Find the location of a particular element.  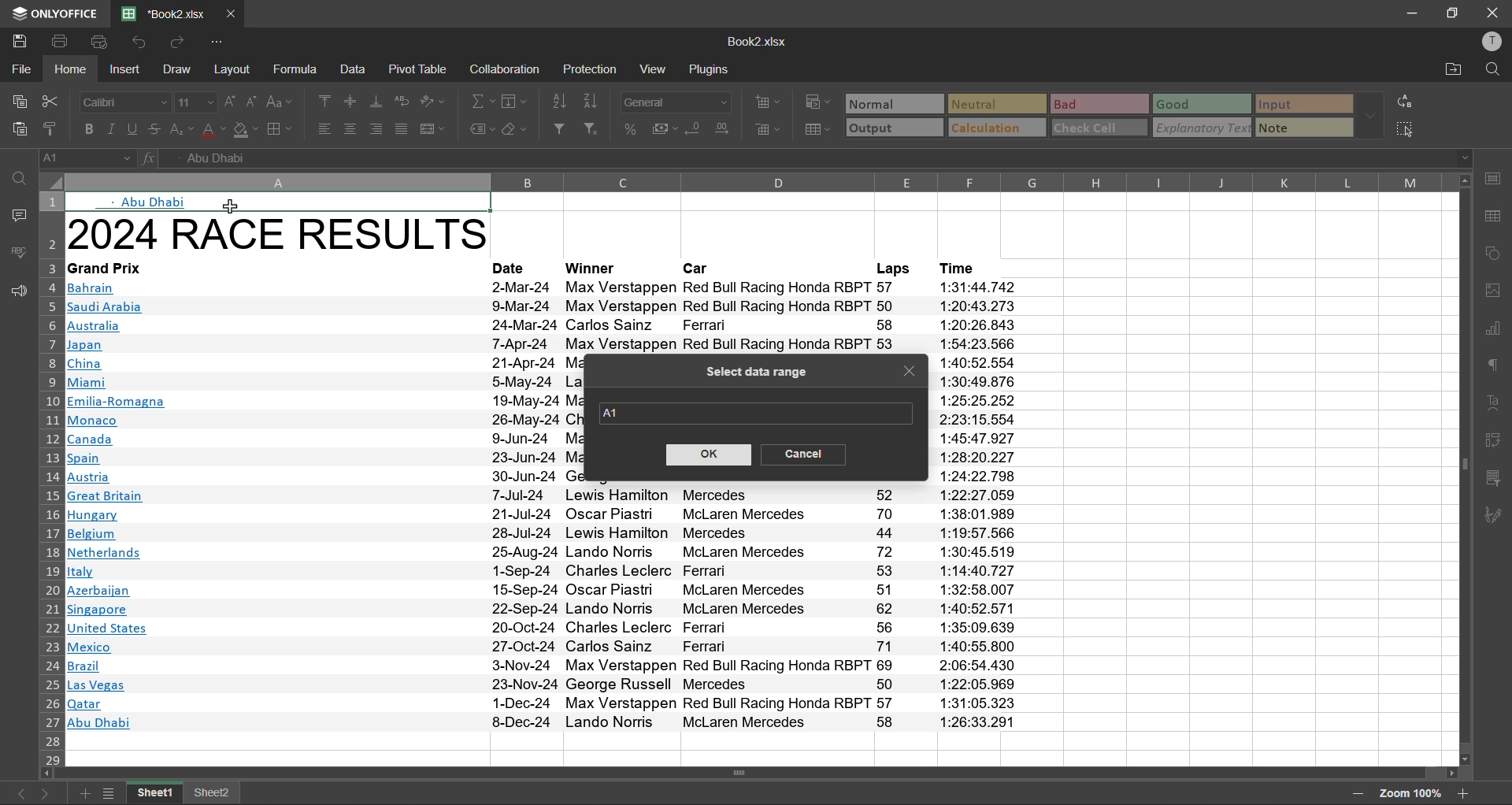

wrap text is located at coordinates (402, 101).